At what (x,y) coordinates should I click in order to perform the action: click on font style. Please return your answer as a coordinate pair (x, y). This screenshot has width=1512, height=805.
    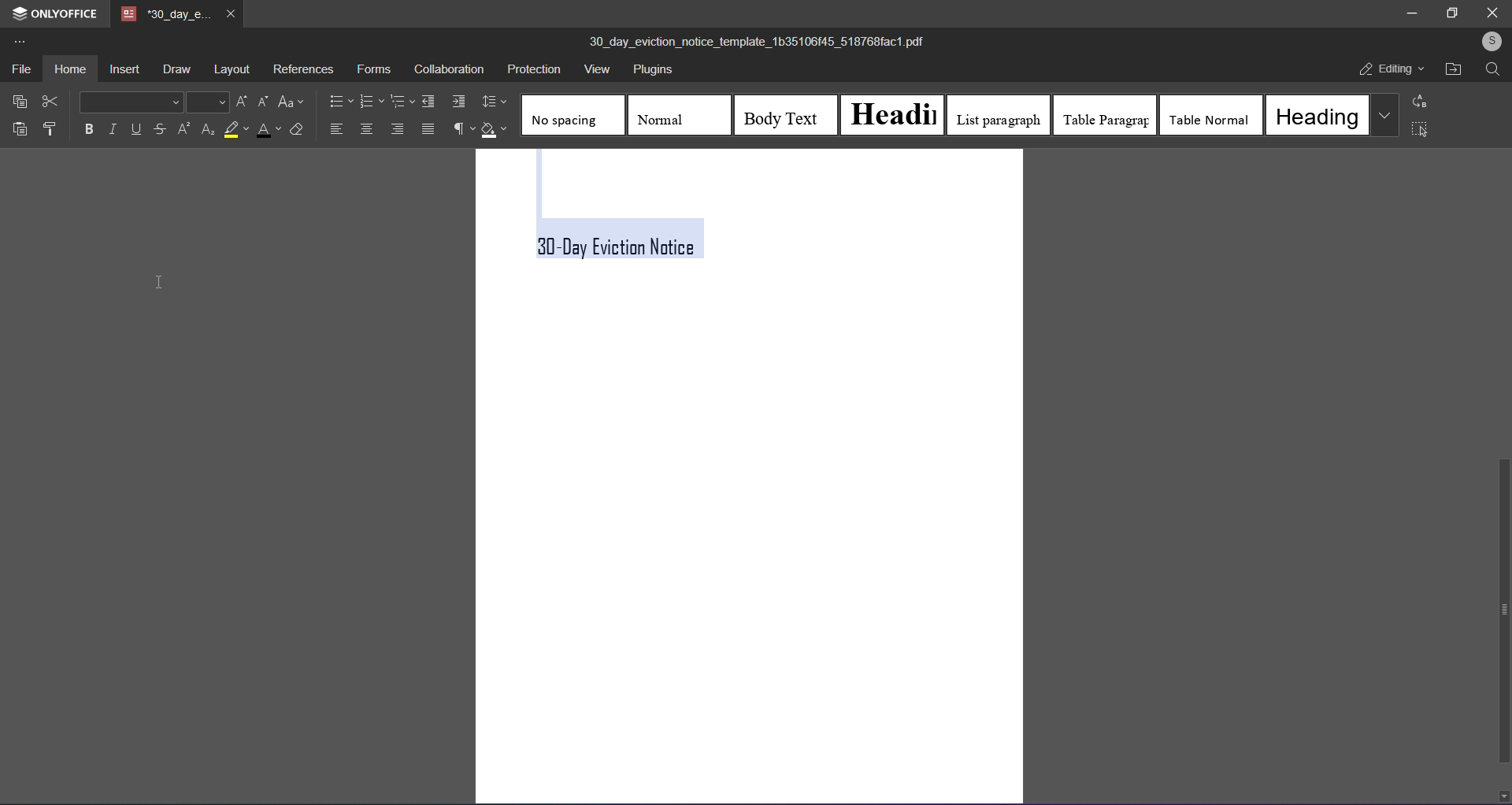
    Looking at the image, I should click on (130, 101).